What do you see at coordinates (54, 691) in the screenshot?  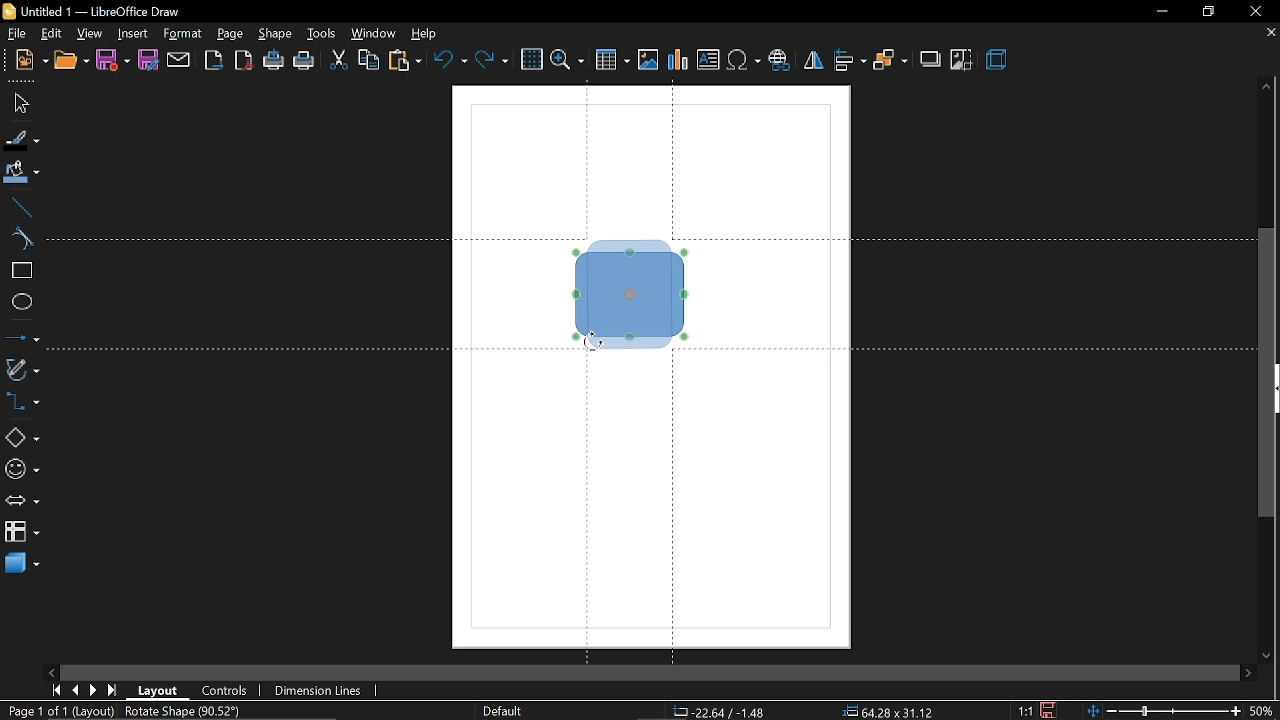 I see `go to first page` at bounding box center [54, 691].